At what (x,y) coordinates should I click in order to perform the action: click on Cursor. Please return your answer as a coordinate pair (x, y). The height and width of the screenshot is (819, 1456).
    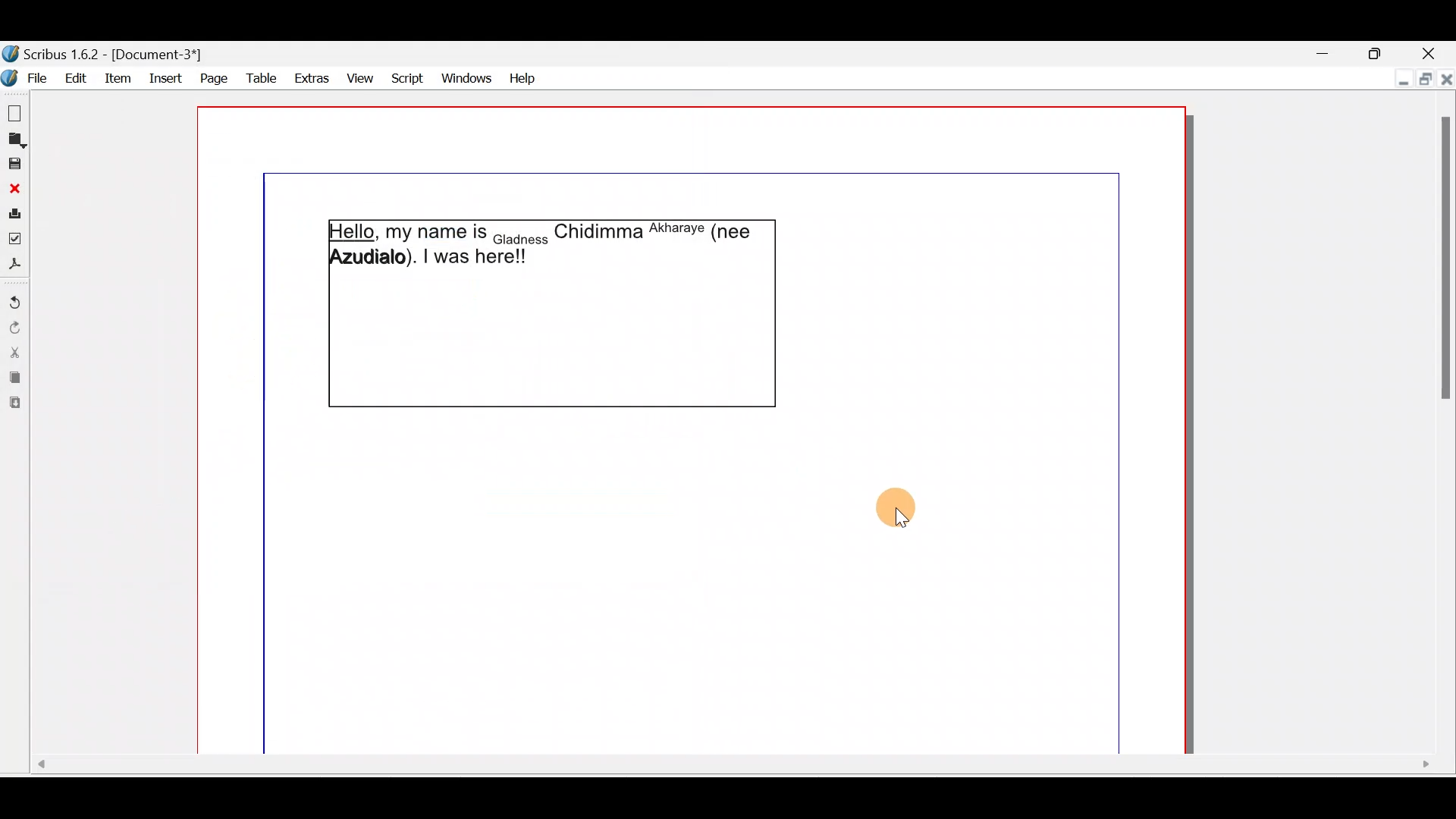
    Looking at the image, I should click on (908, 508).